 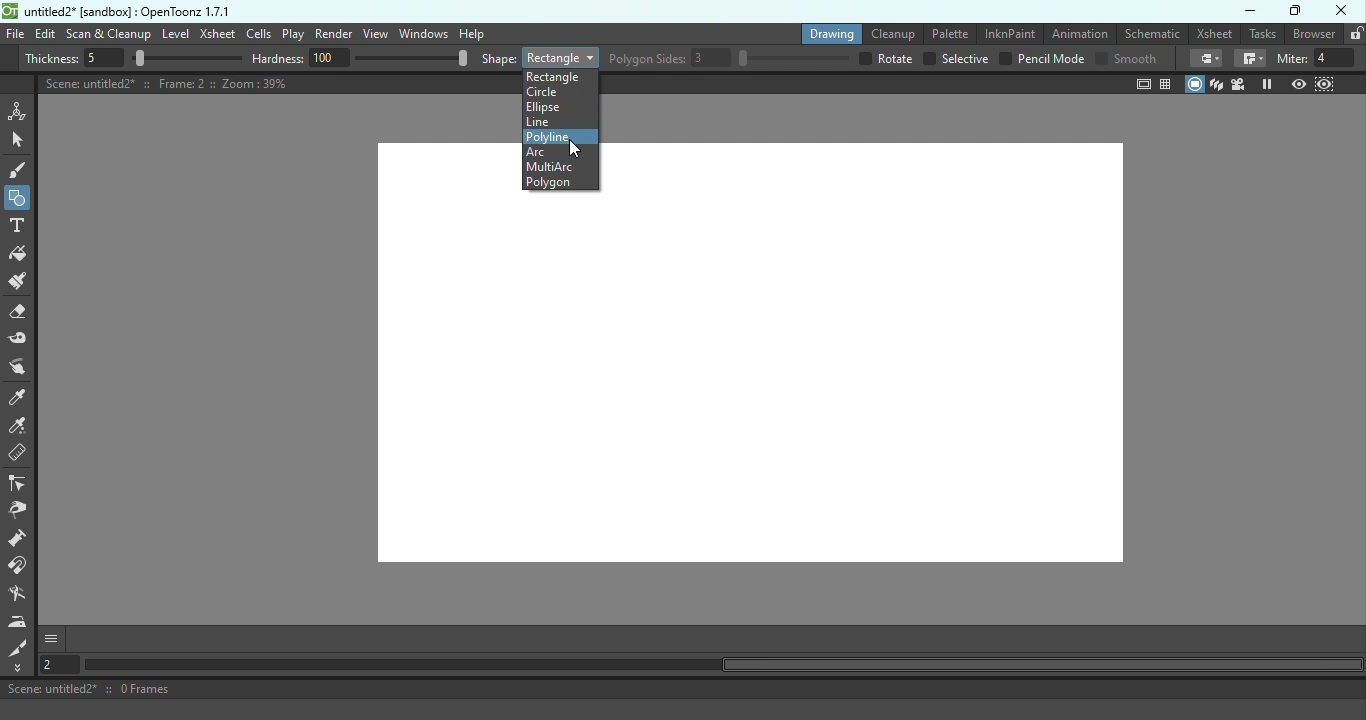 I want to click on Thickness, so click(x=133, y=58).